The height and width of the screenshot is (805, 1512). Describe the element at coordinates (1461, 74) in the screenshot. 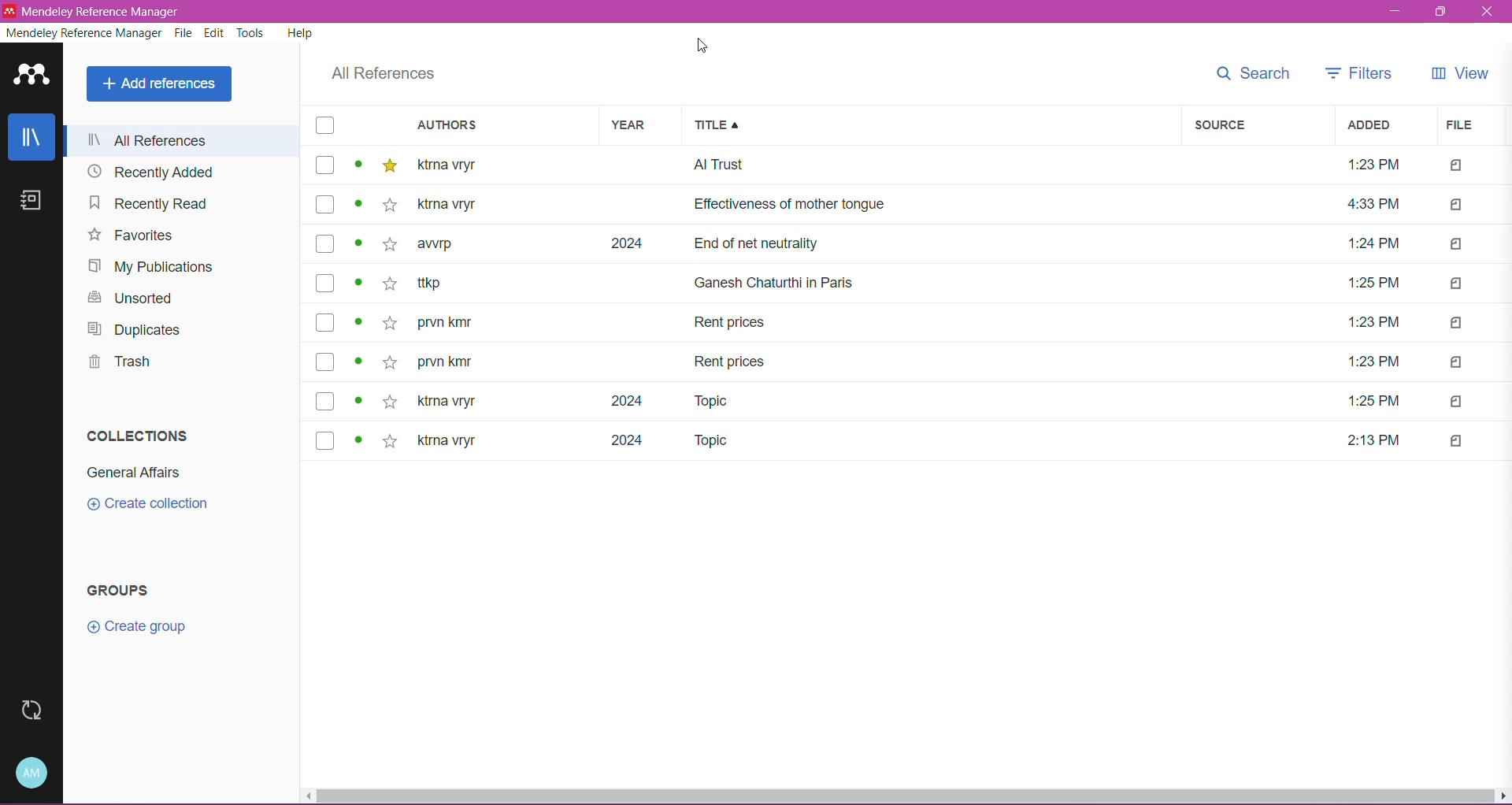

I see `View` at that location.